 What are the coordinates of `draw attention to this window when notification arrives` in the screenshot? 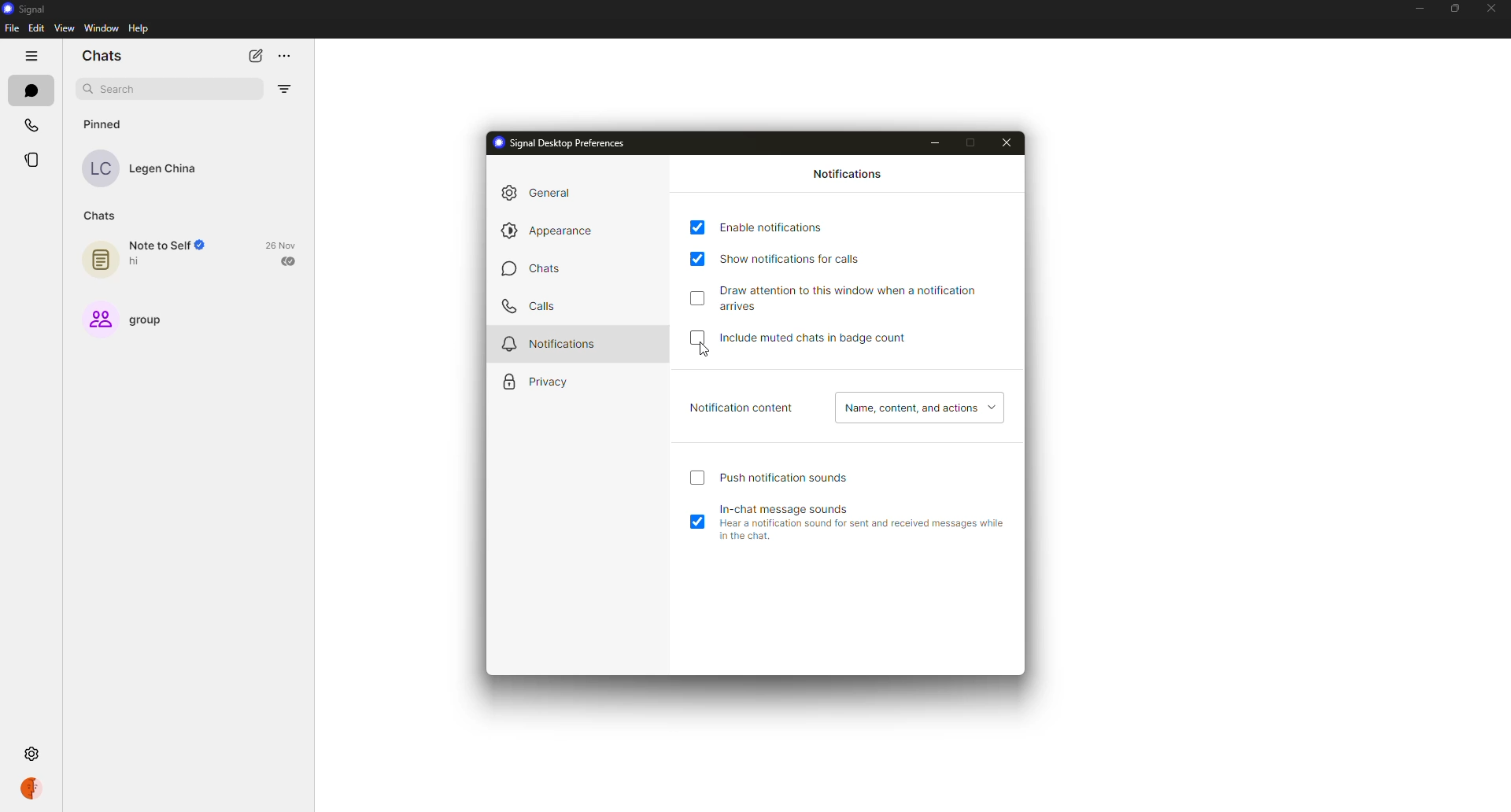 It's located at (857, 296).